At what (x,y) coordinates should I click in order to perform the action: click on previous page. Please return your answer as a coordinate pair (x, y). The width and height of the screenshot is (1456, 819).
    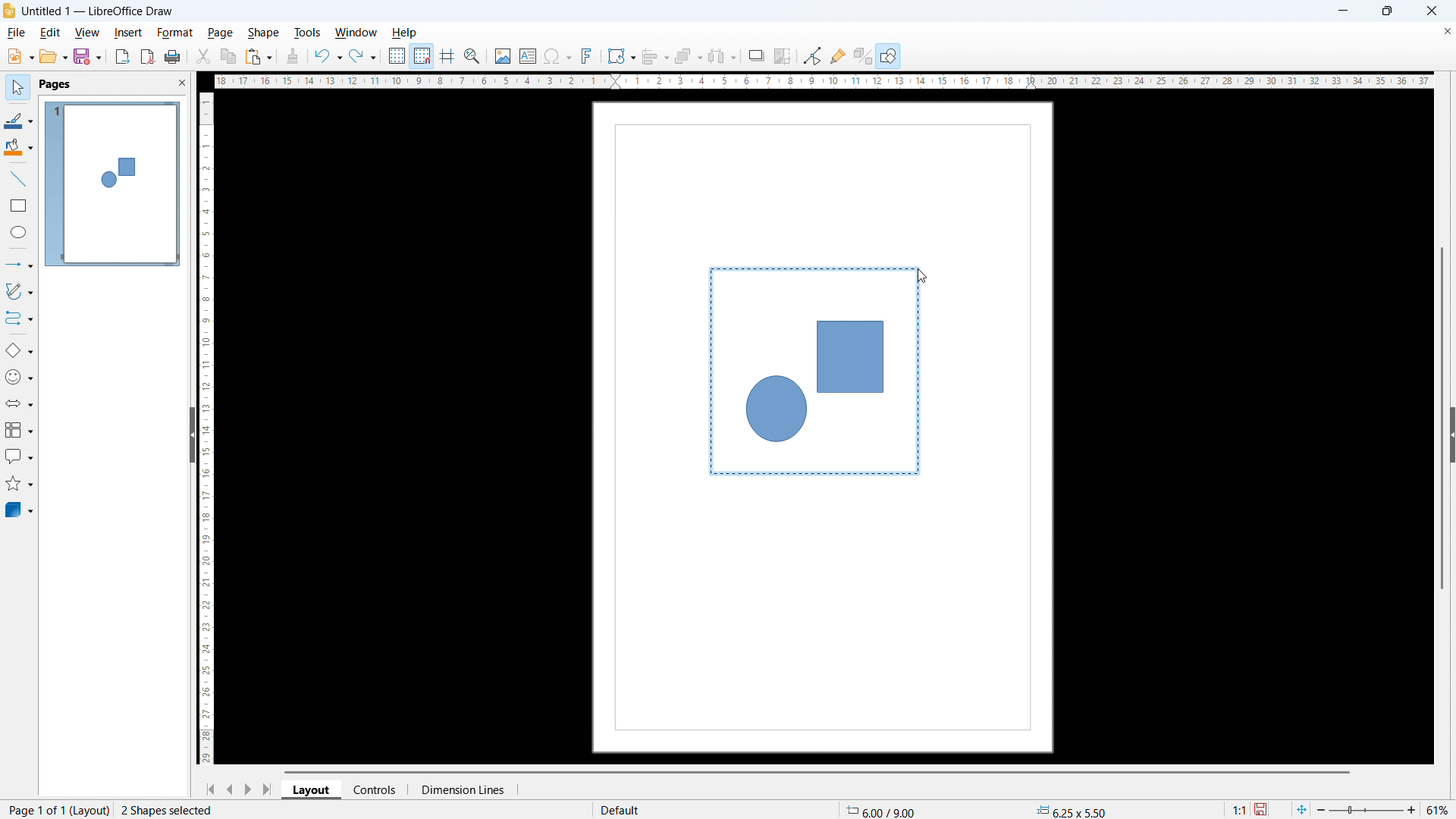
    Looking at the image, I should click on (231, 789).